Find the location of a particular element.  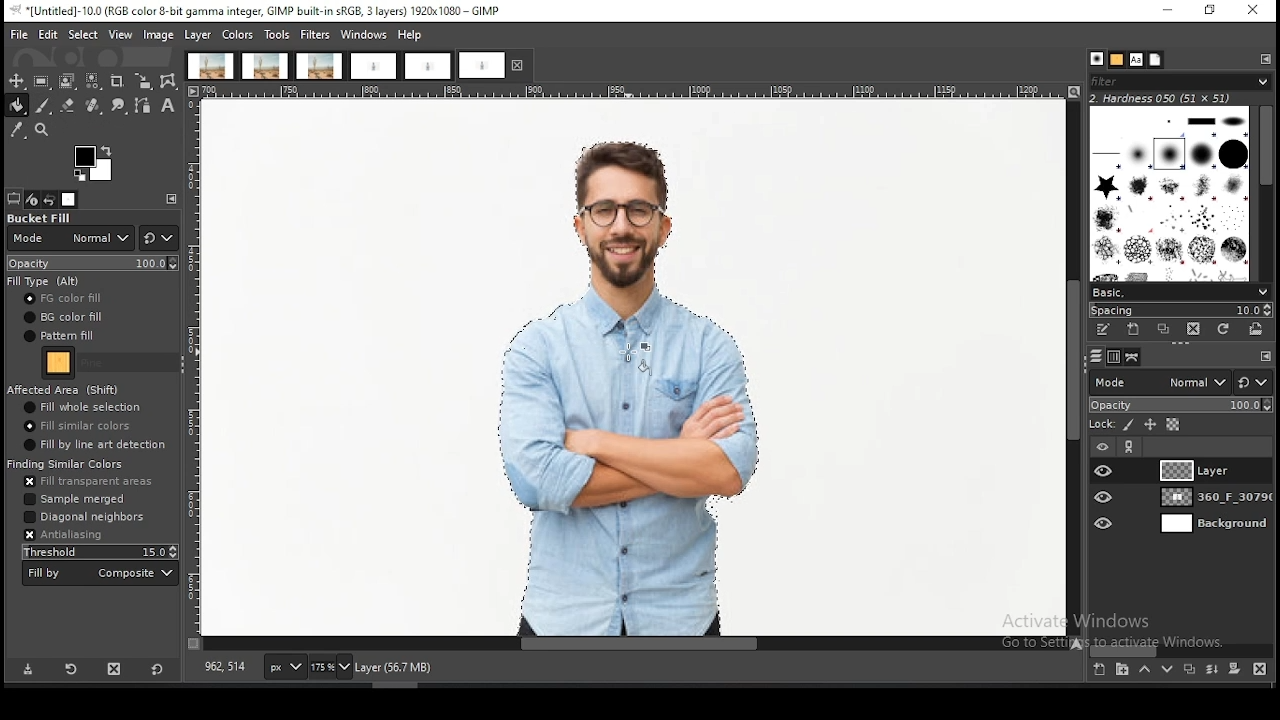

link is located at coordinates (1130, 447).